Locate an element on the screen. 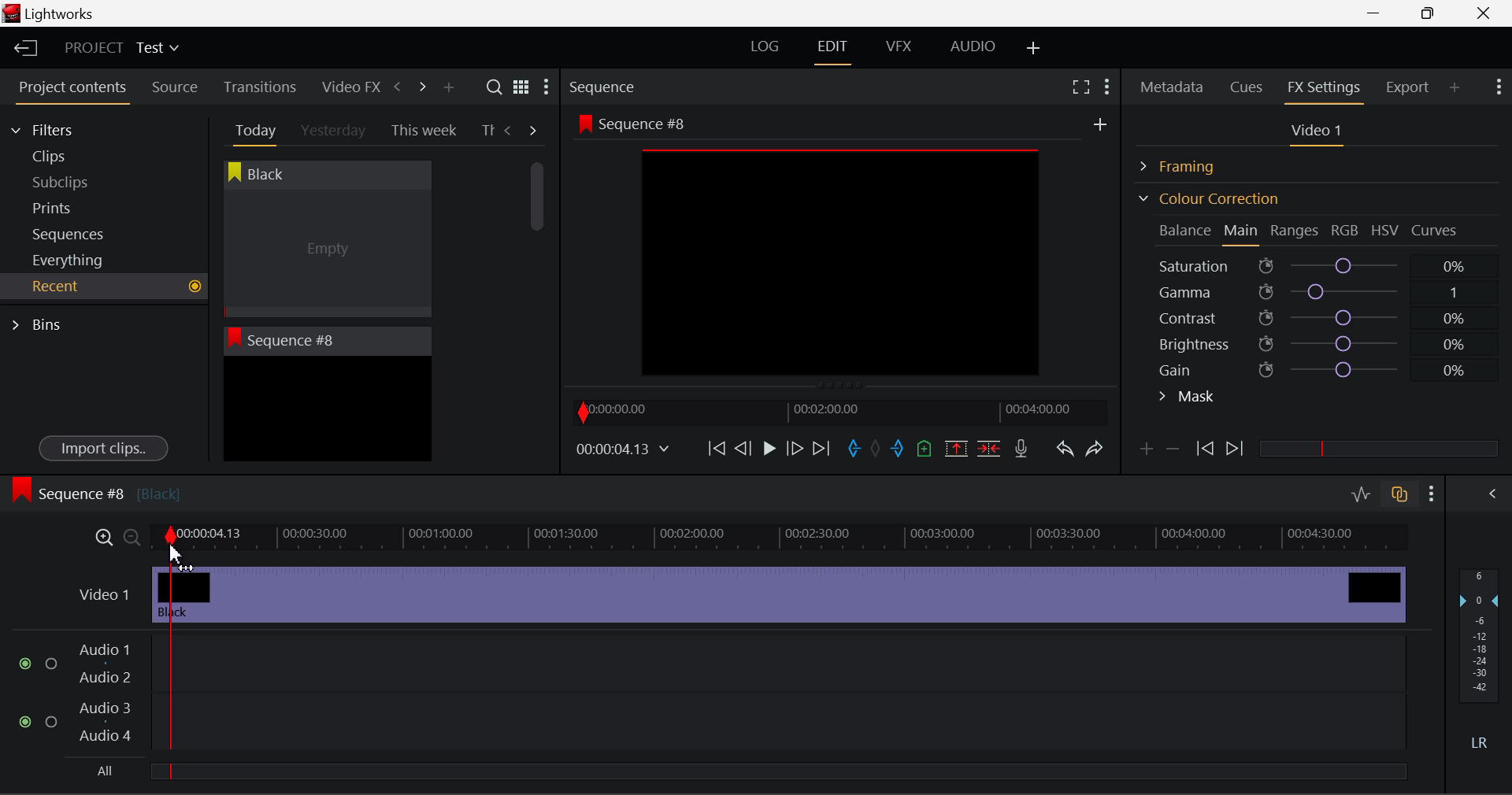 The height and width of the screenshot is (795, 1512). Transitions is located at coordinates (260, 87).